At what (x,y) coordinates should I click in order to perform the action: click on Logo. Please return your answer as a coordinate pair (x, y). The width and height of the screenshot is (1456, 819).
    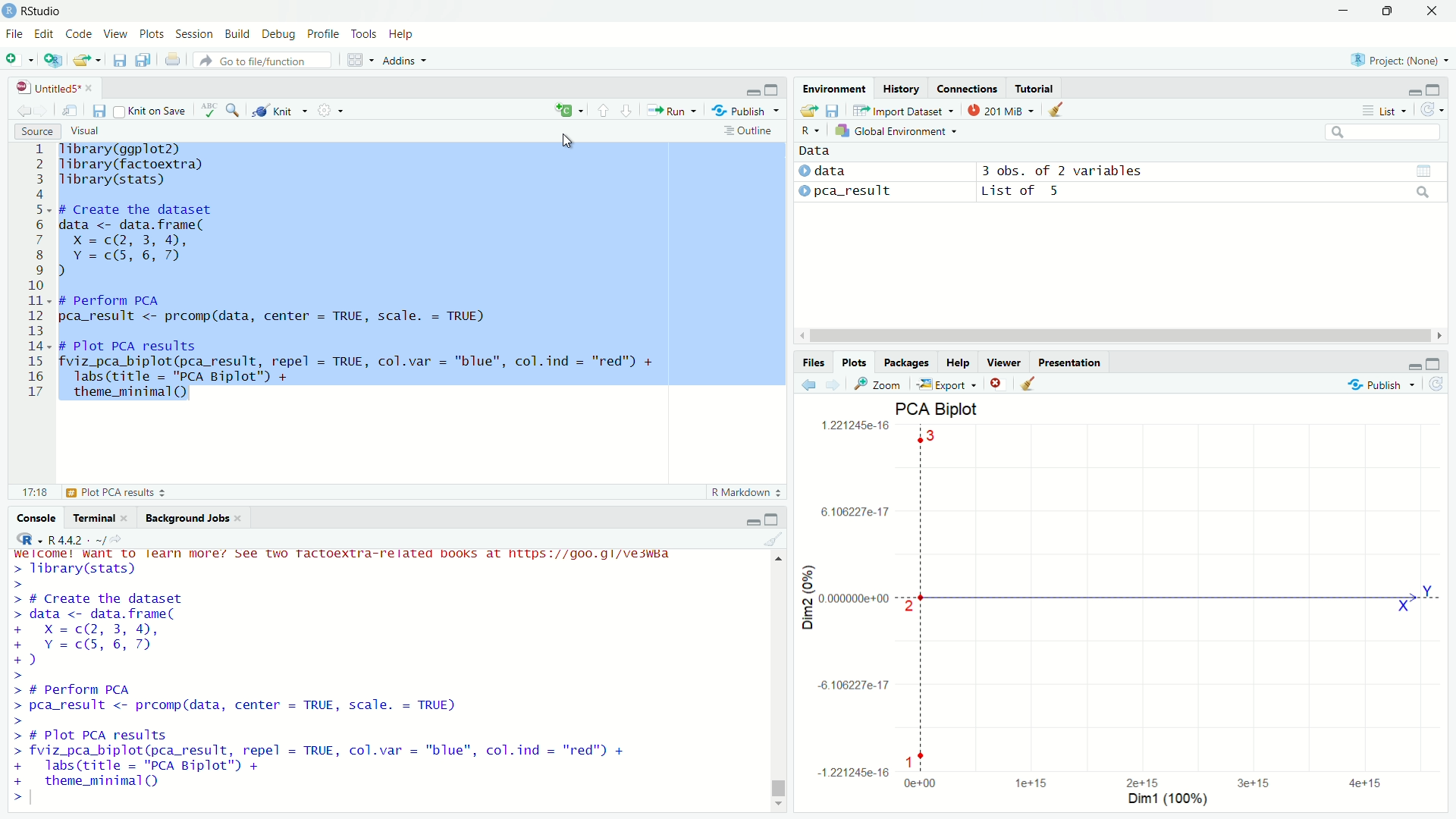
    Looking at the image, I should click on (10, 11).